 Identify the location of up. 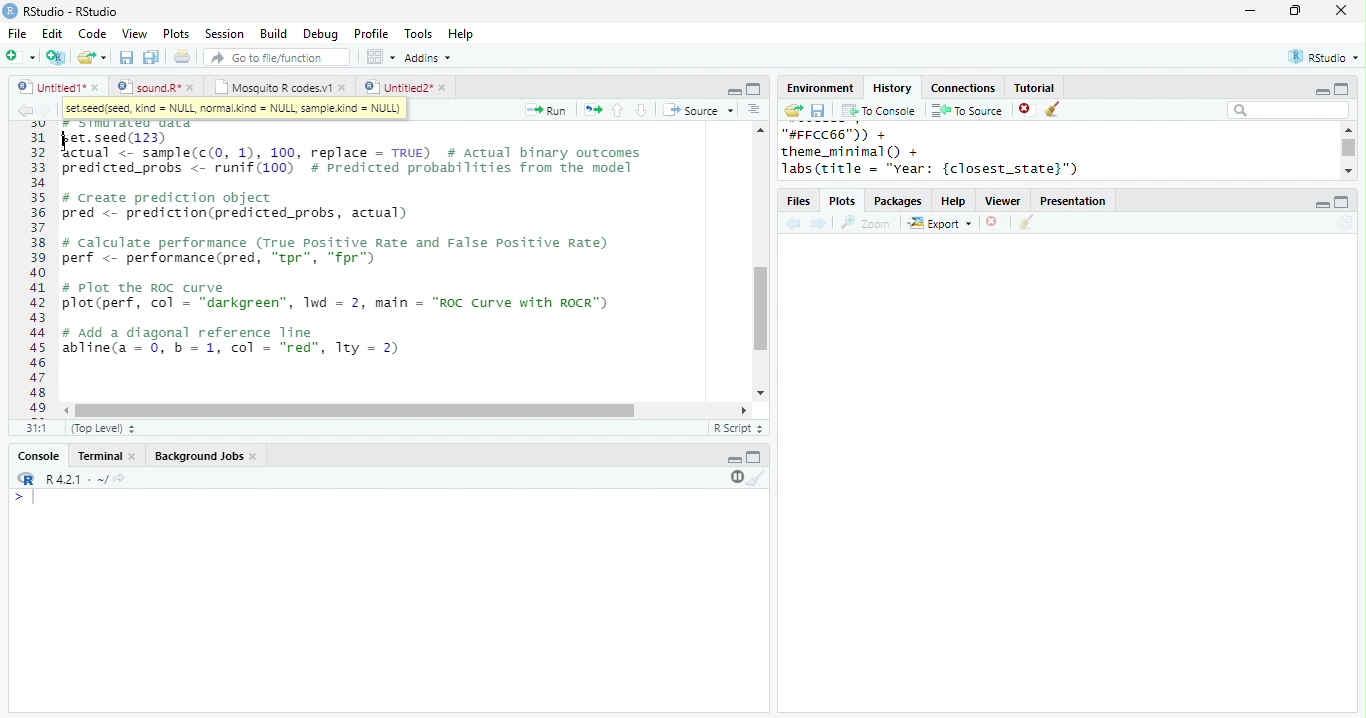
(616, 110).